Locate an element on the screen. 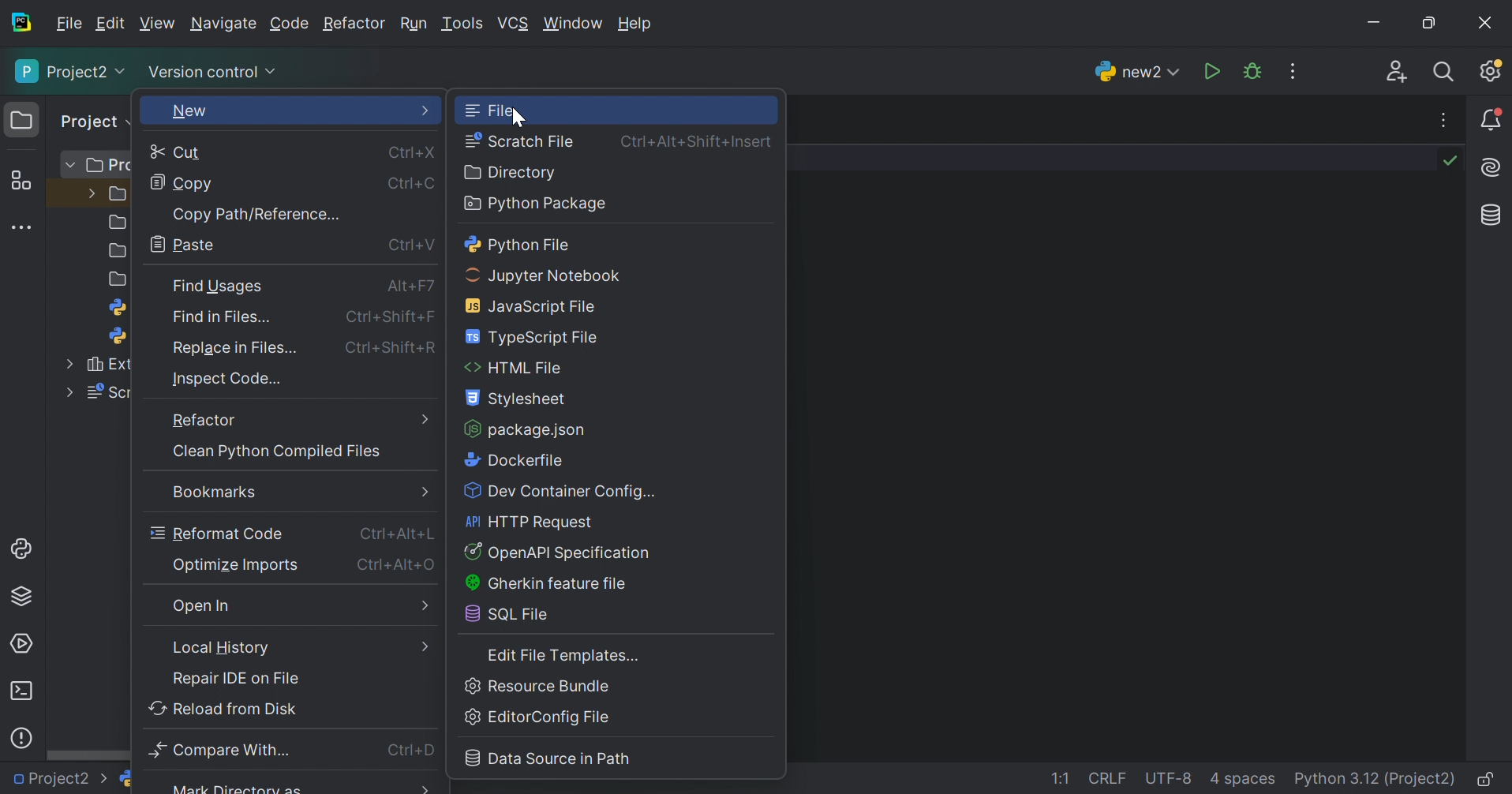  Scratch file is located at coordinates (520, 140).